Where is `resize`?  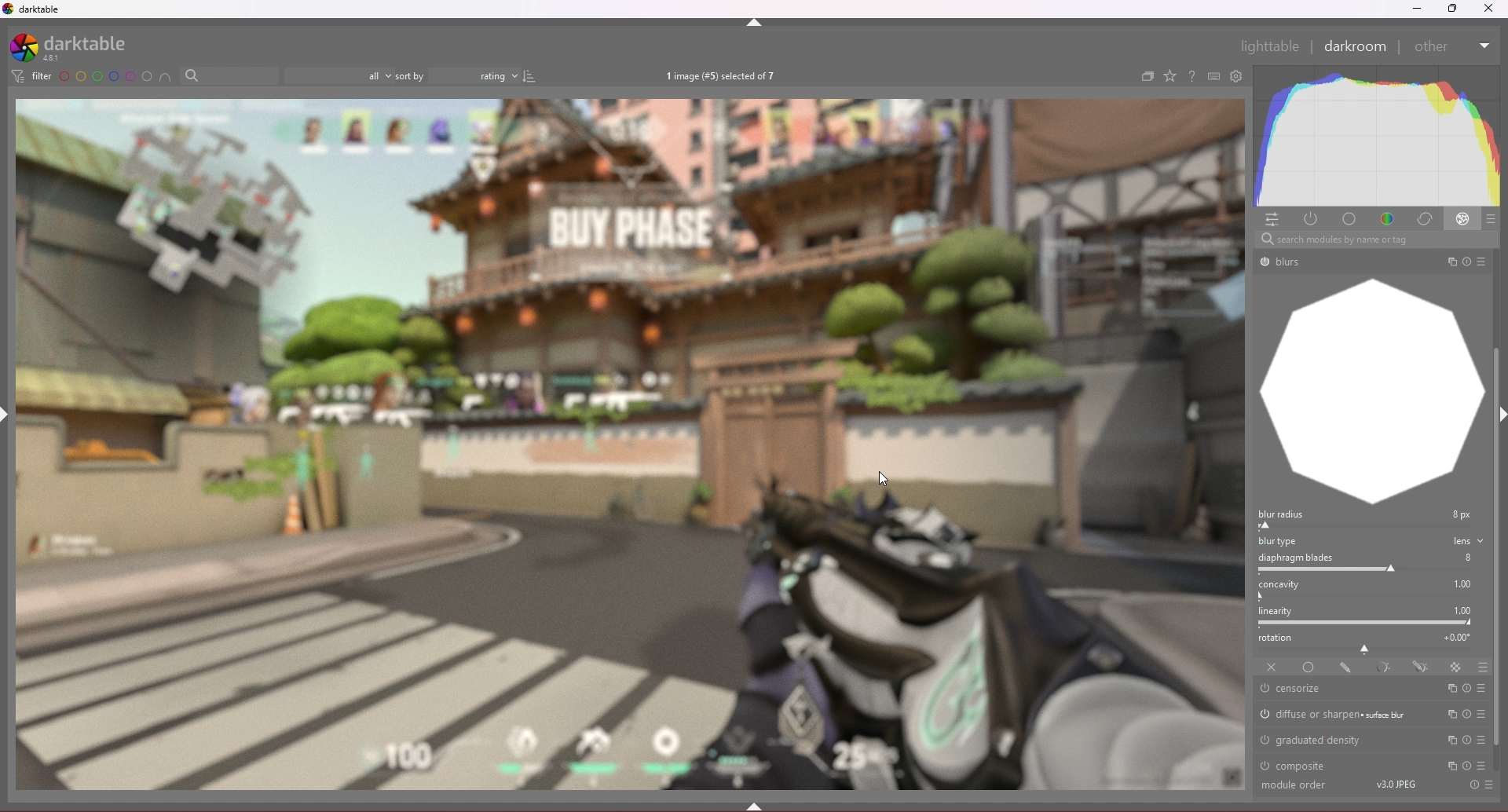
resize is located at coordinates (1451, 9).